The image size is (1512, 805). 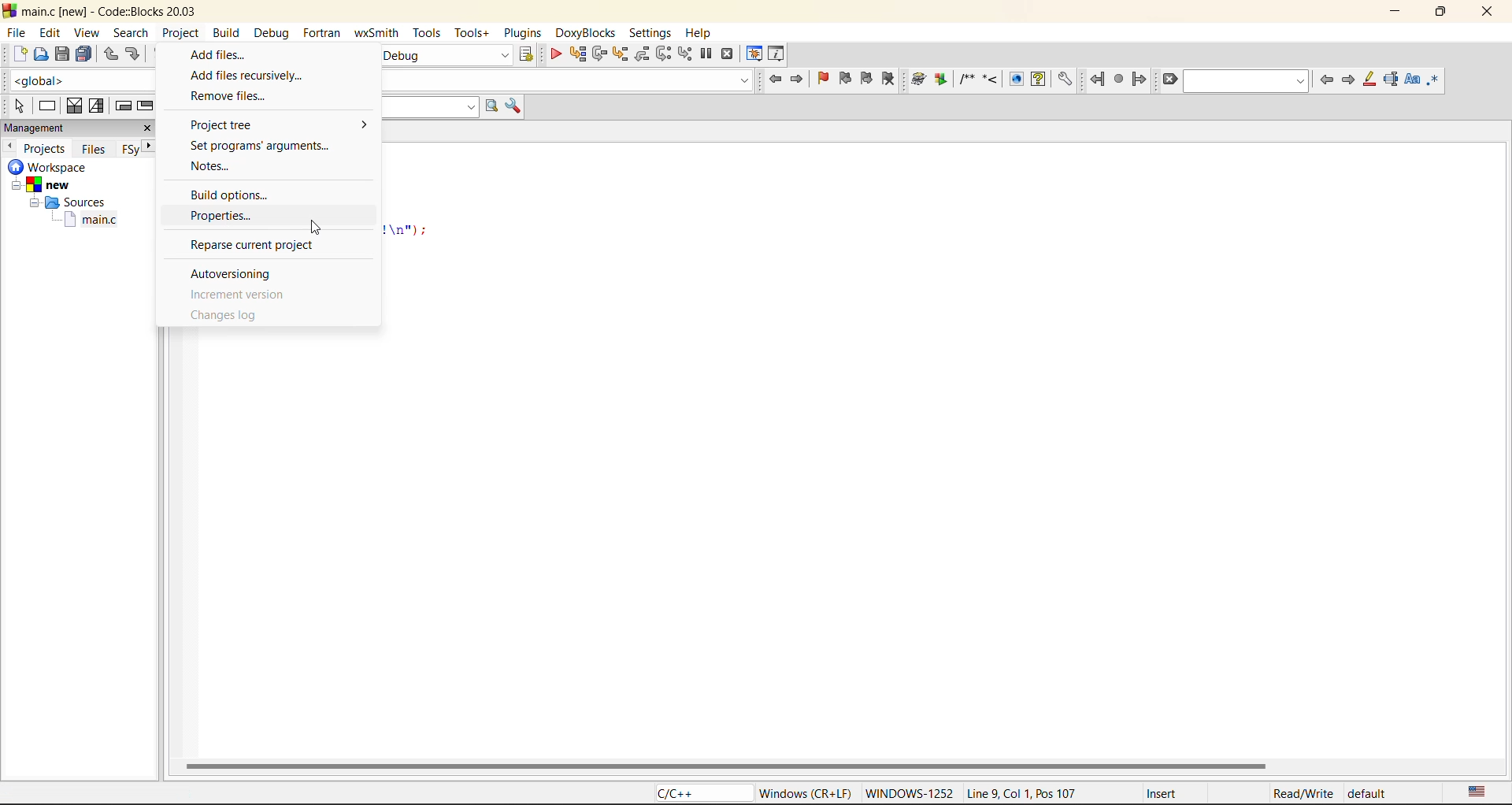 What do you see at coordinates (774, 81) in the screenshot?
I see `jump back` at bounding box center [774, 81].